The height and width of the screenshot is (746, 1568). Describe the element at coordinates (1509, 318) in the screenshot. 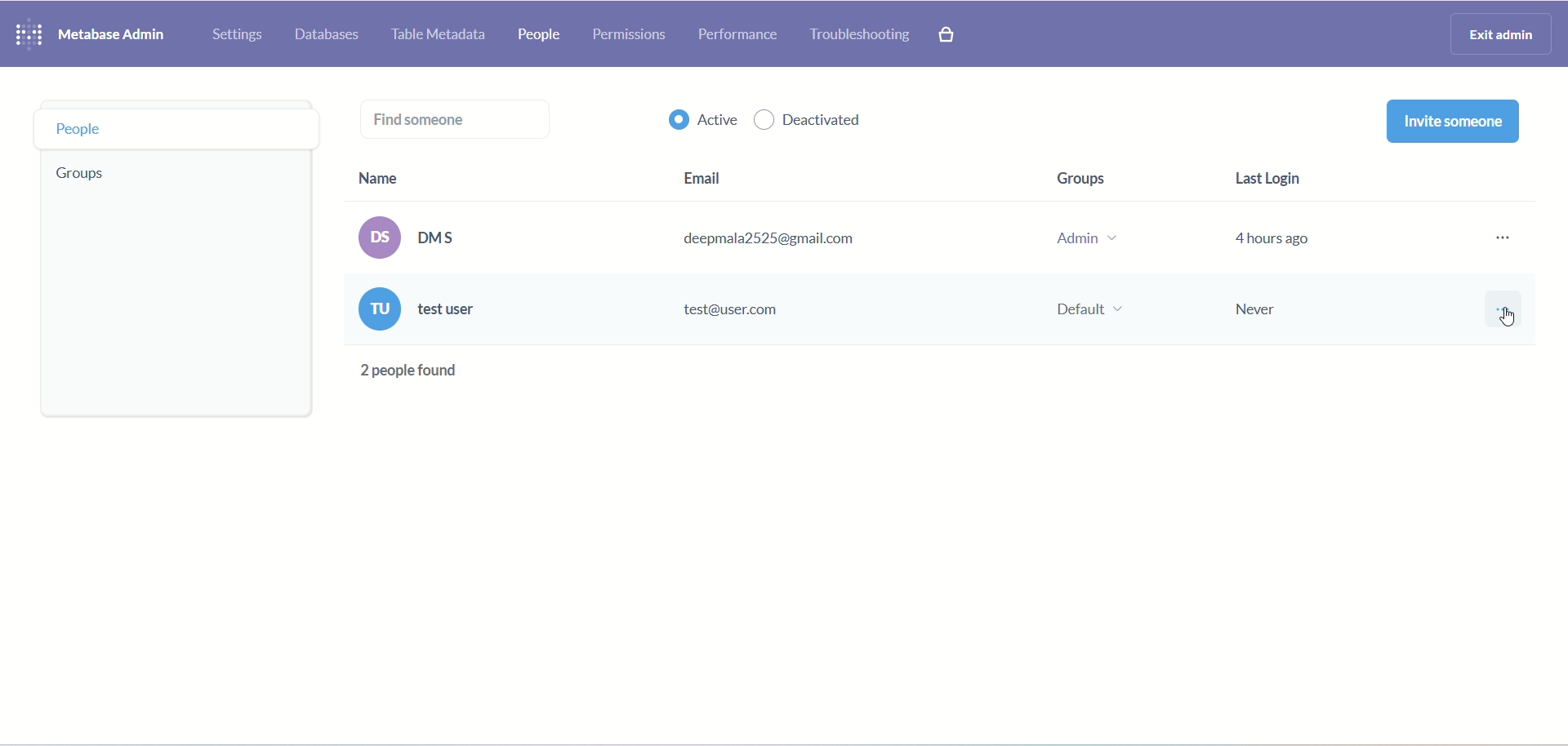

I see `cursor` at that location.